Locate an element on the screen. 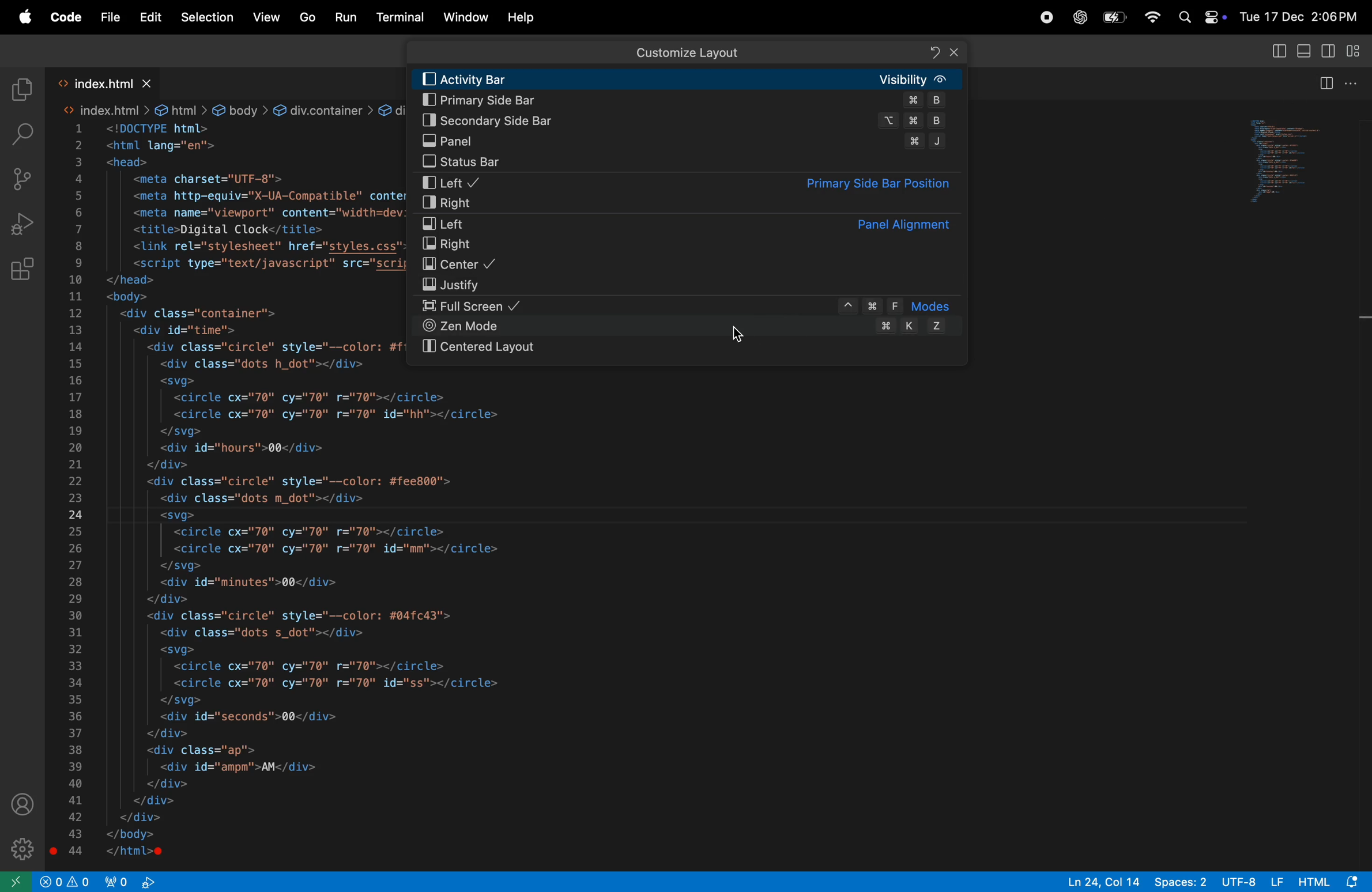 The height and width of the screenshot is (892, 1372). space: 2 is located at coordinates (1179, 882).